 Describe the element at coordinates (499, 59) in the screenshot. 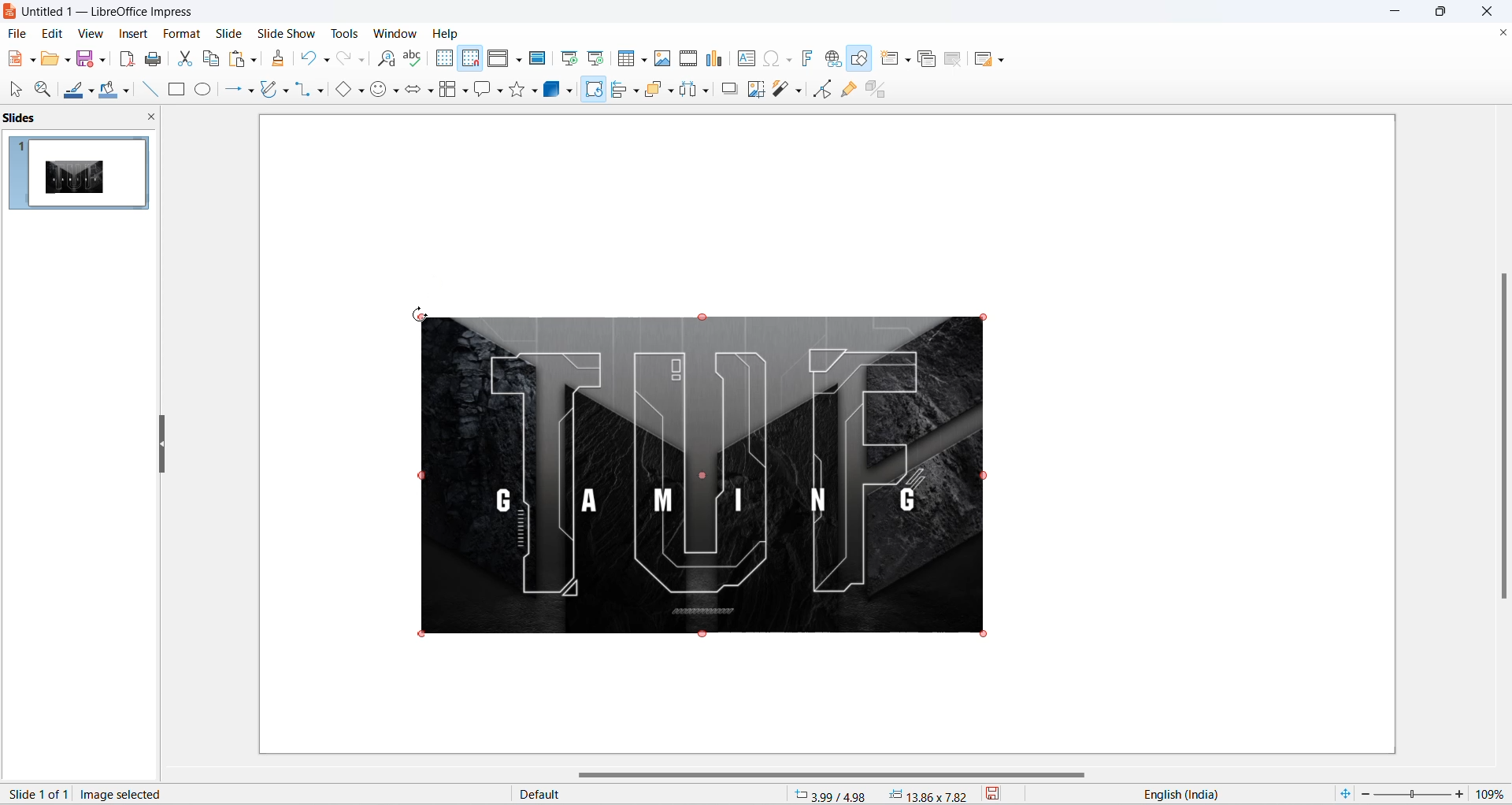

I see `display view` at that location.